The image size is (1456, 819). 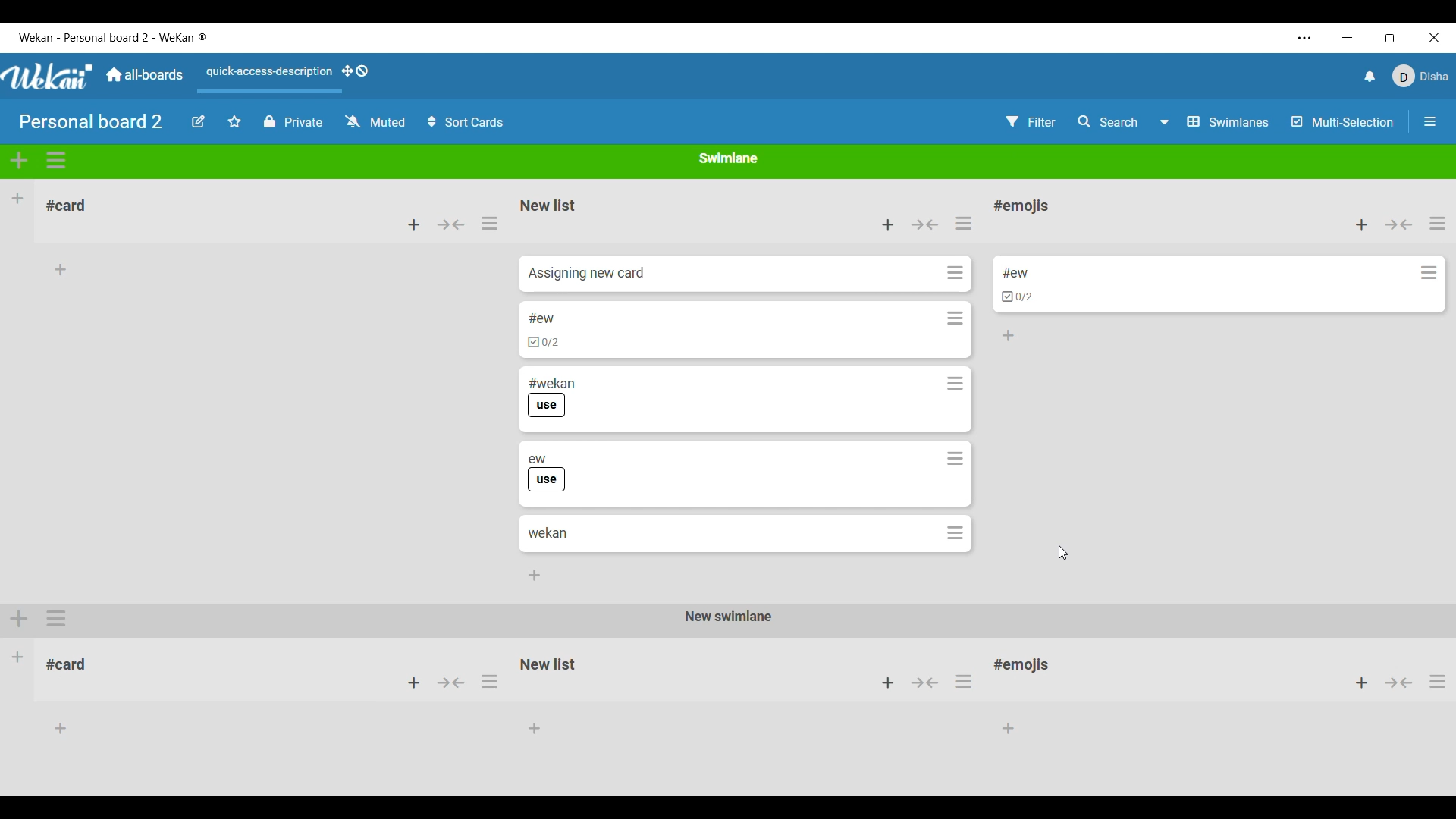 What do you see at coordinates (17, 199) in the screenshot?
I see `Add list` at bounding box center [17, 199].